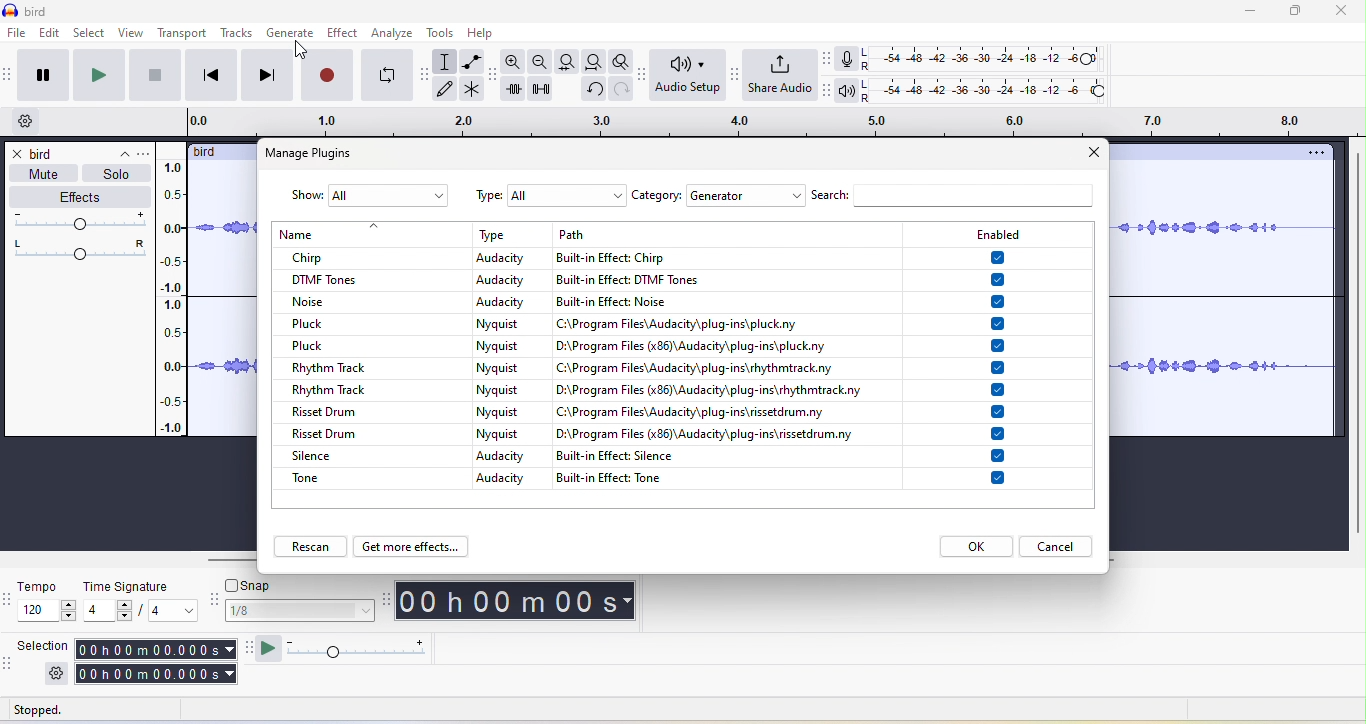 This screenshot has height=724, width=1366. What do you see at coordinates (385, 75) in the screenshot?
I see `enable looping` at bounding box center [385, 75].